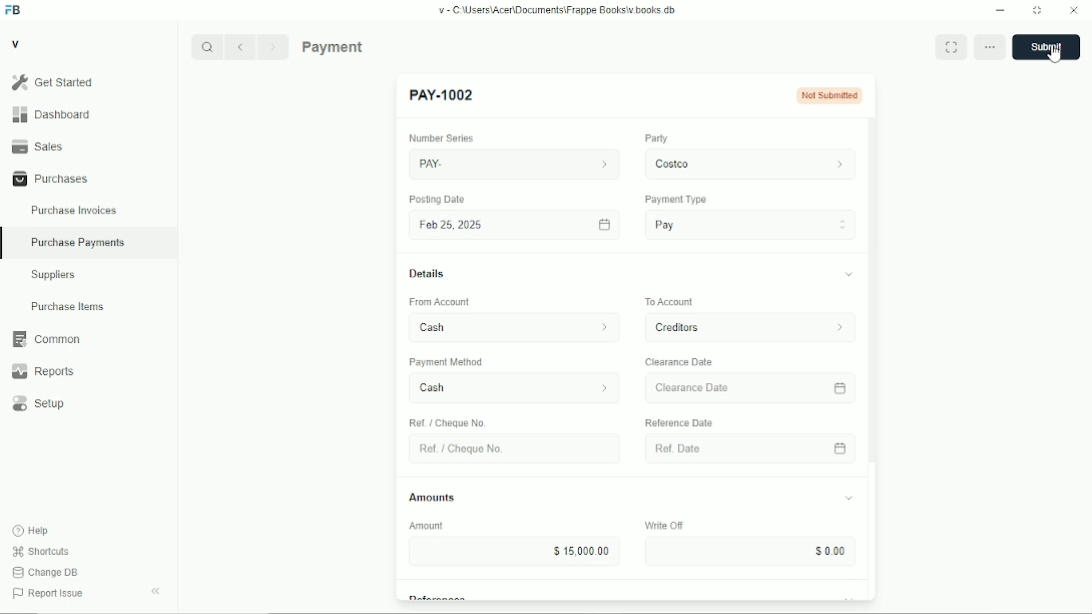  What do you see at coordinates (240, 47) in the screenshot?
I see `Previous` at bounding box center [240, 47].